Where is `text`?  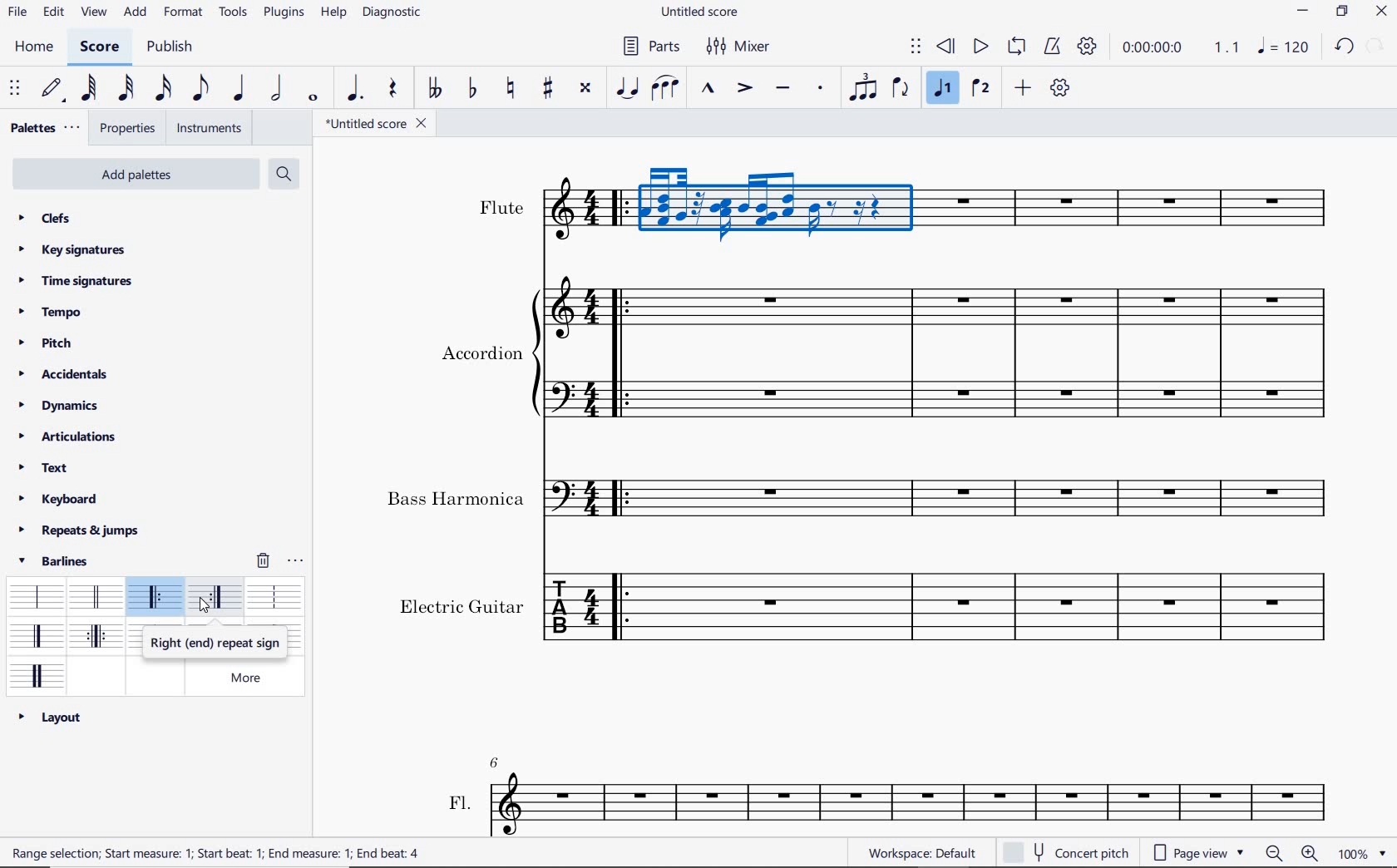
text is located at coordinates (481, 352).